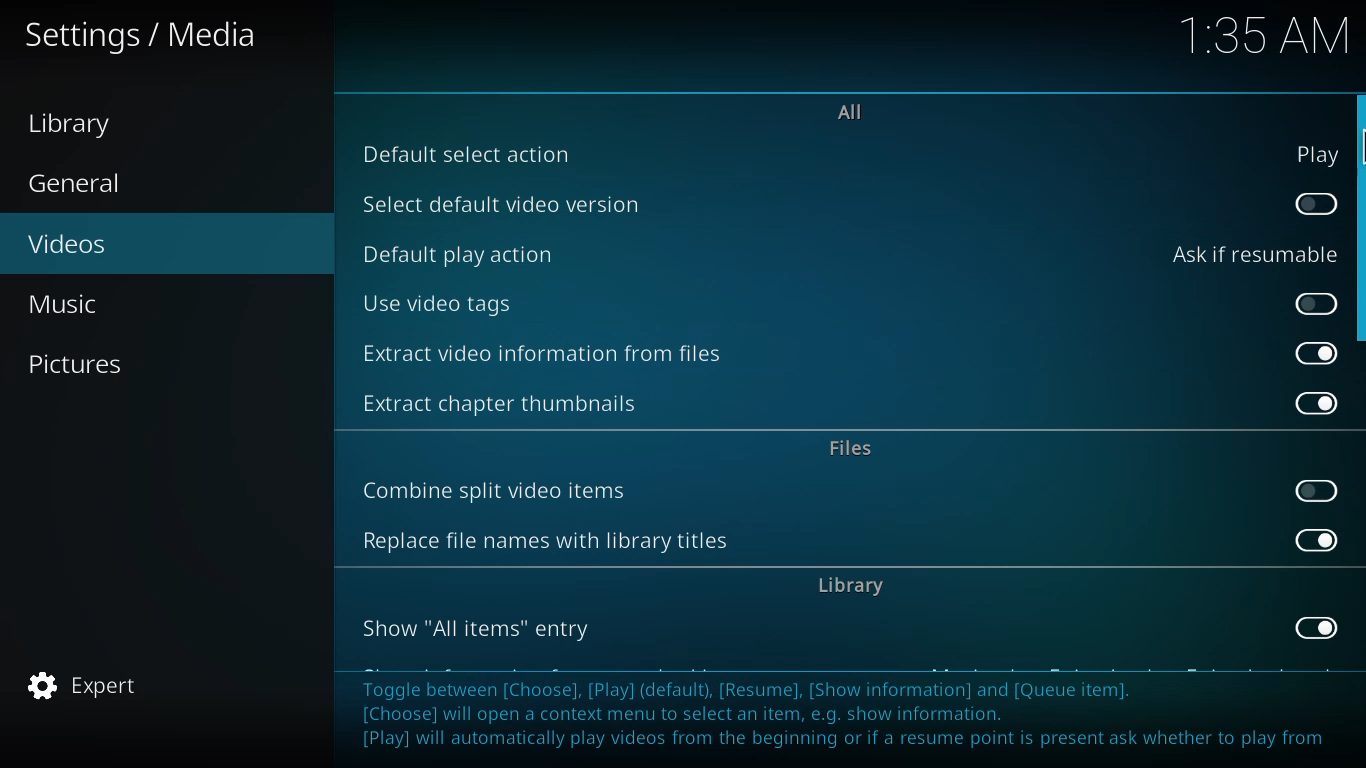 Image resolution: width=1366 pixels, height=768 pixels. Describe the element at coordinates (499, 492) in the screenshot. I see `combine split video items` at that location.